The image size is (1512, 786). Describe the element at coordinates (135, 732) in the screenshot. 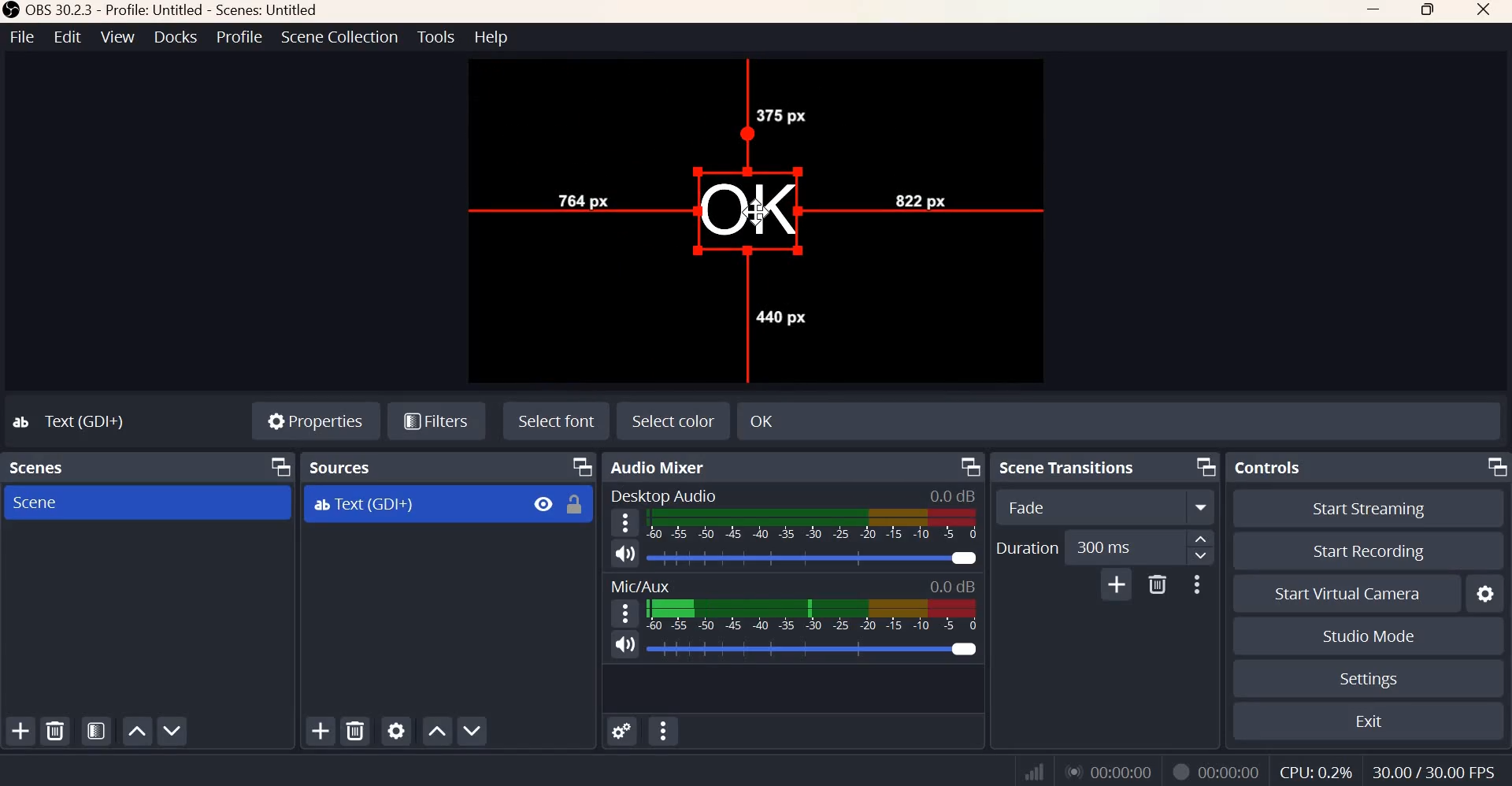

I see `Move scene up` at that location.